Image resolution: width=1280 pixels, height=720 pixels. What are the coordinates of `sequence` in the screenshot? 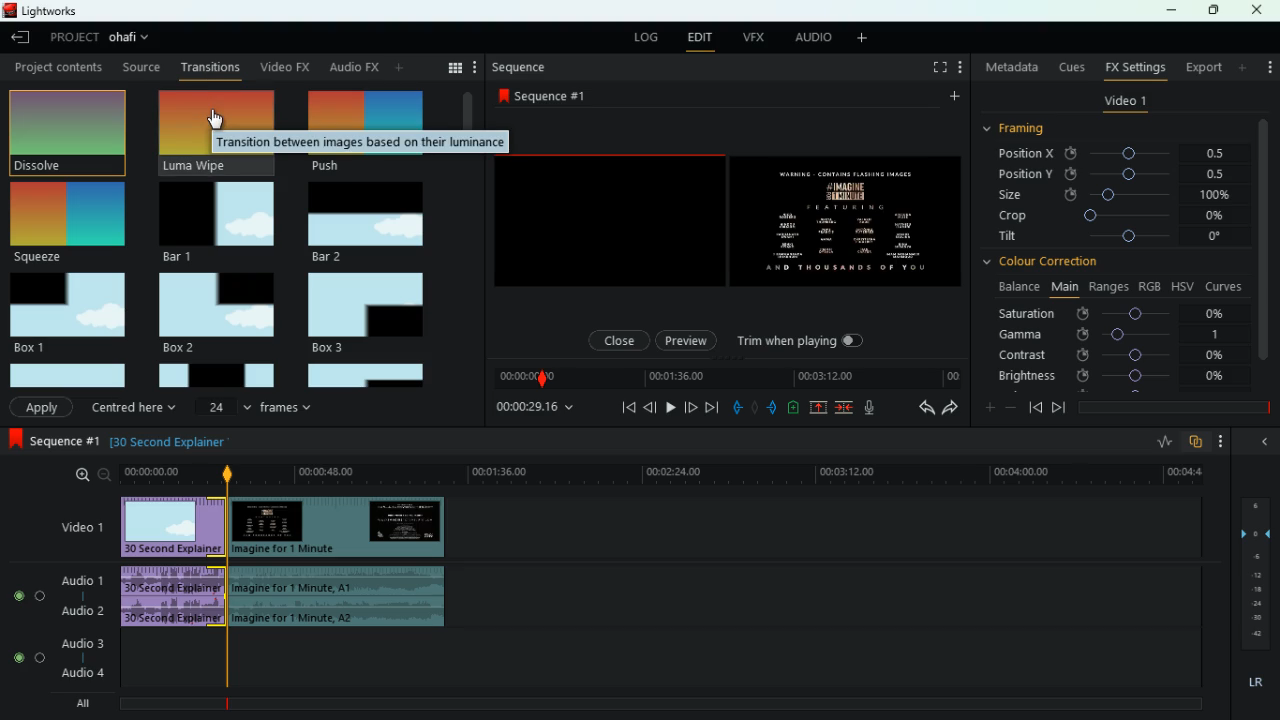 It's located at (548, 95).